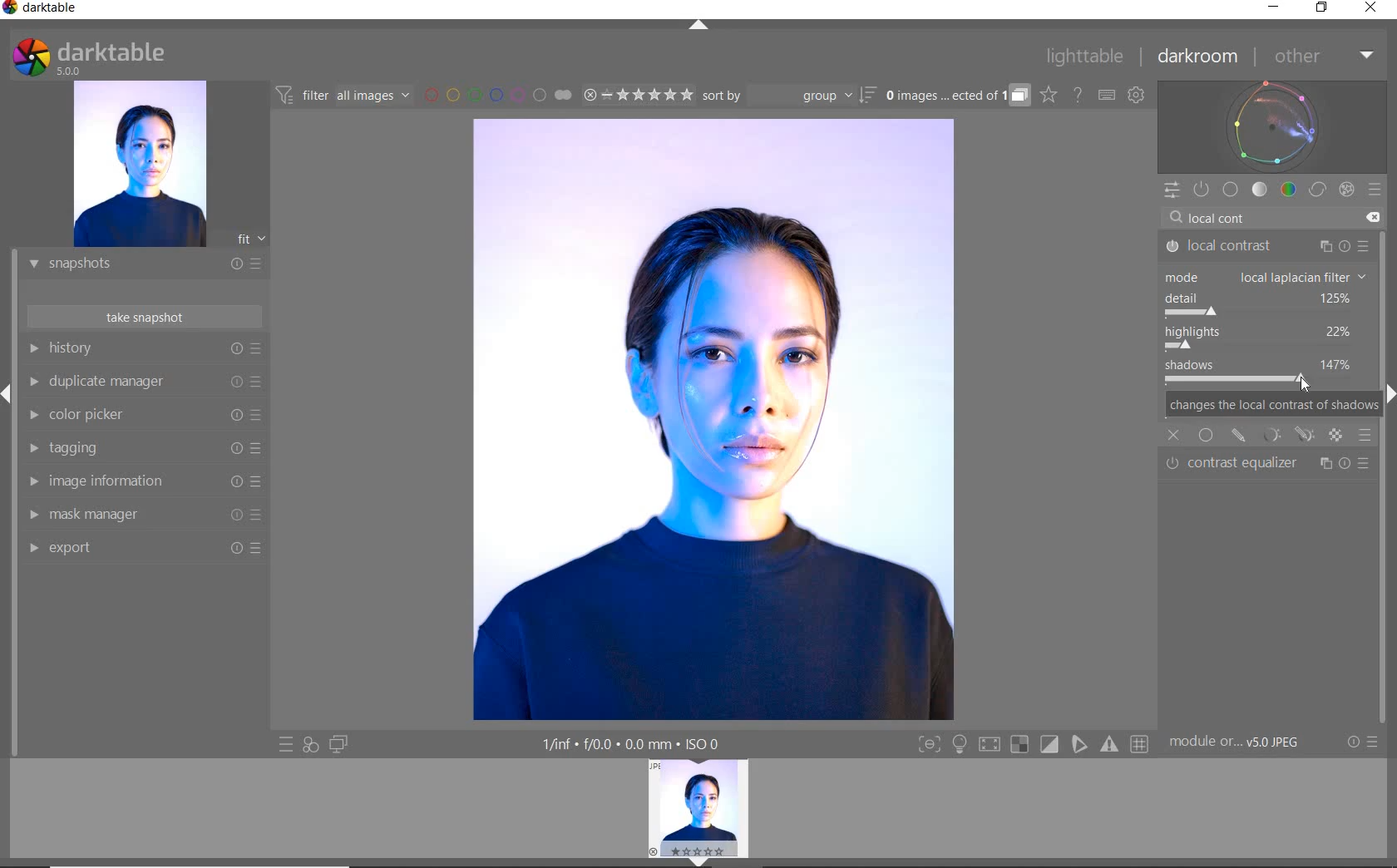 Image resolution: width=1397 pixels, height=868 pixels. Describe the element at coordinates (1319, 191) in the screenshot. I see `CORRECT` at that location.